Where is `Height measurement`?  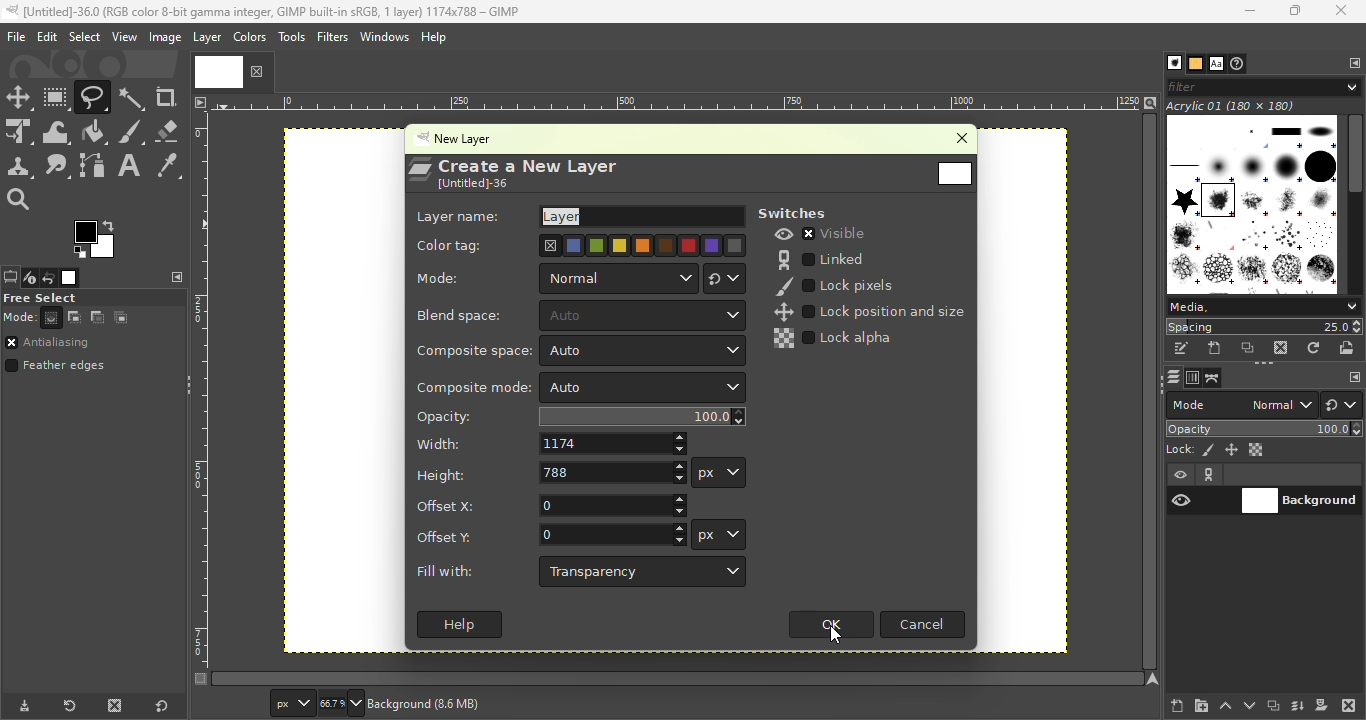
Height measurement is located at coordinates (722, 471).